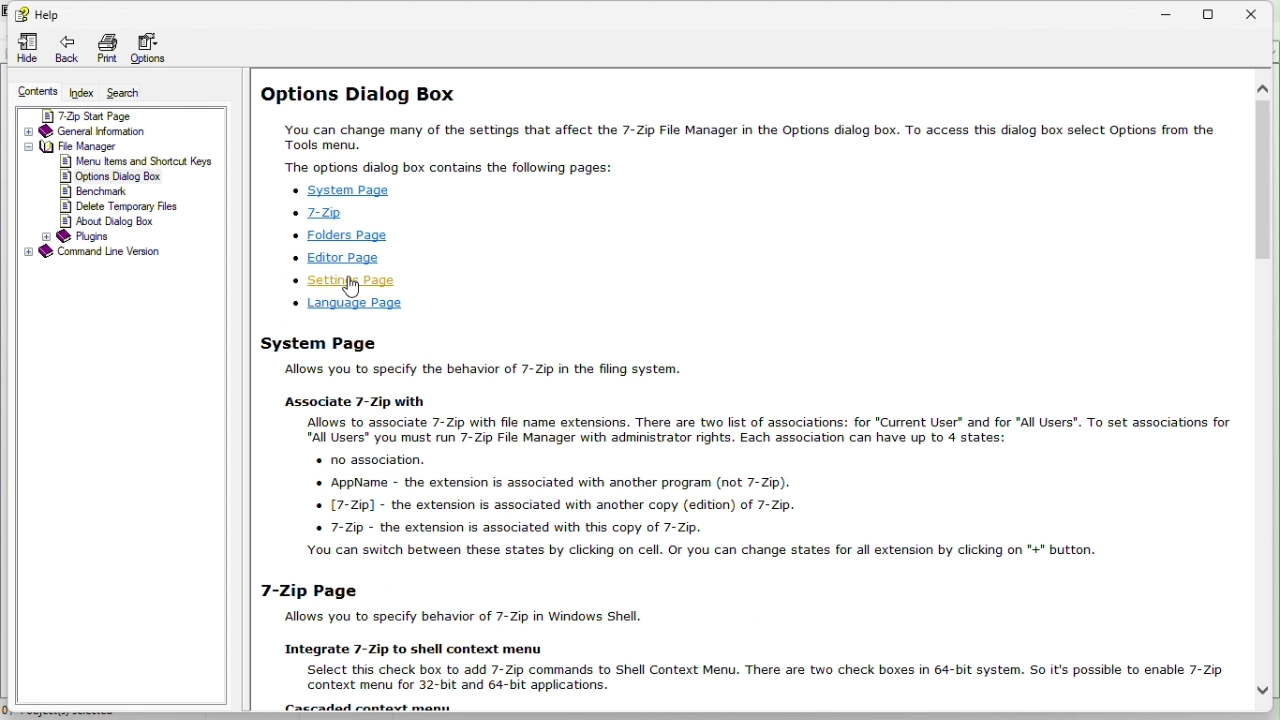 This screenshot has width=1280, height=720. I want to click on vertical scroll bar, so click(1267, 180).